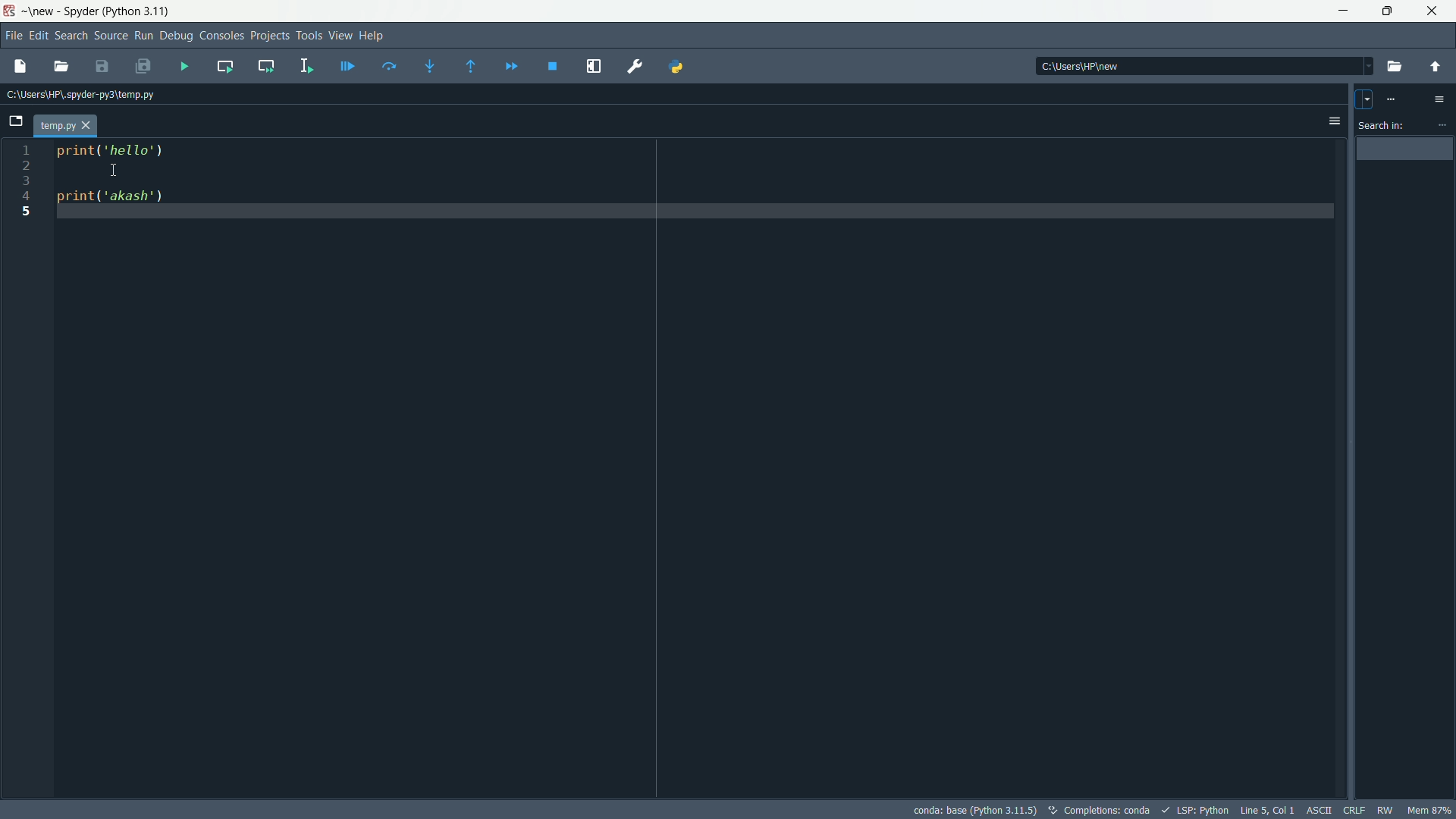  What do you see at coordinates (226, 67) in the screenshot?
I see `run current cell` at bounding box center [226, 67].